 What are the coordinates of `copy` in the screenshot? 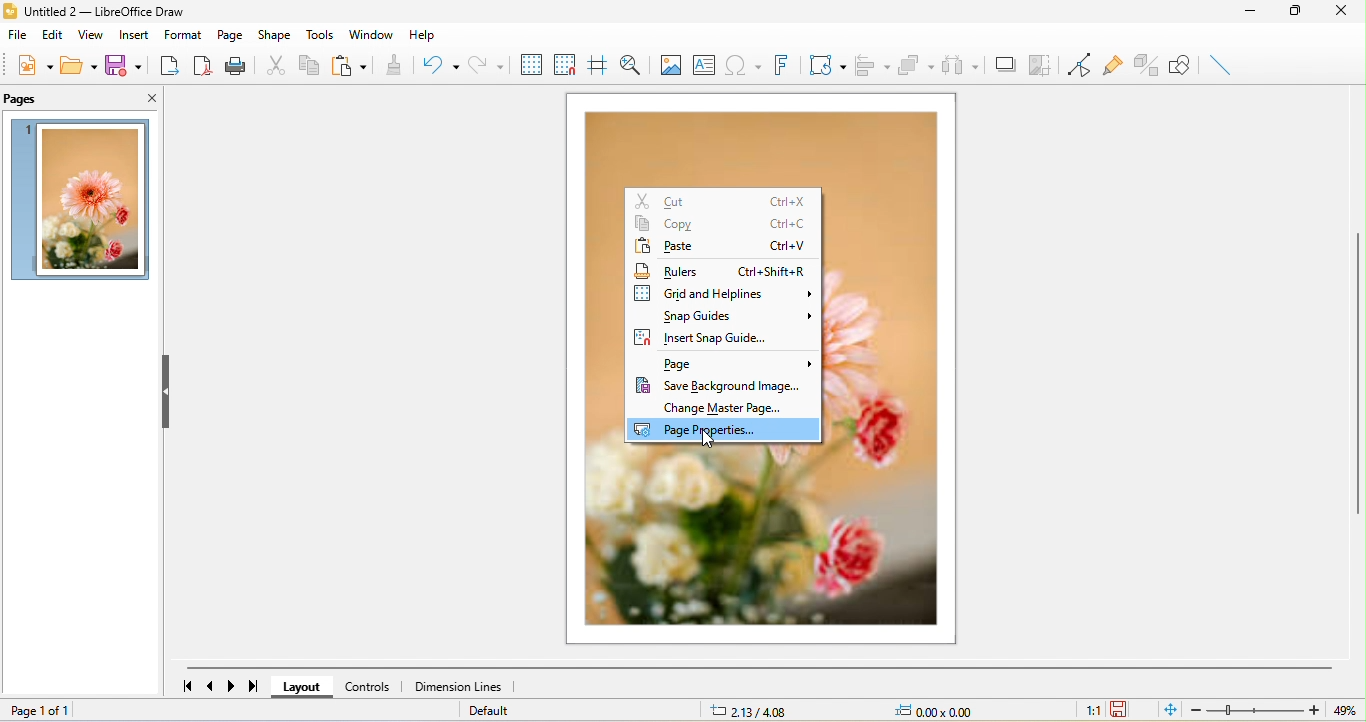 It's located at (307, 64).